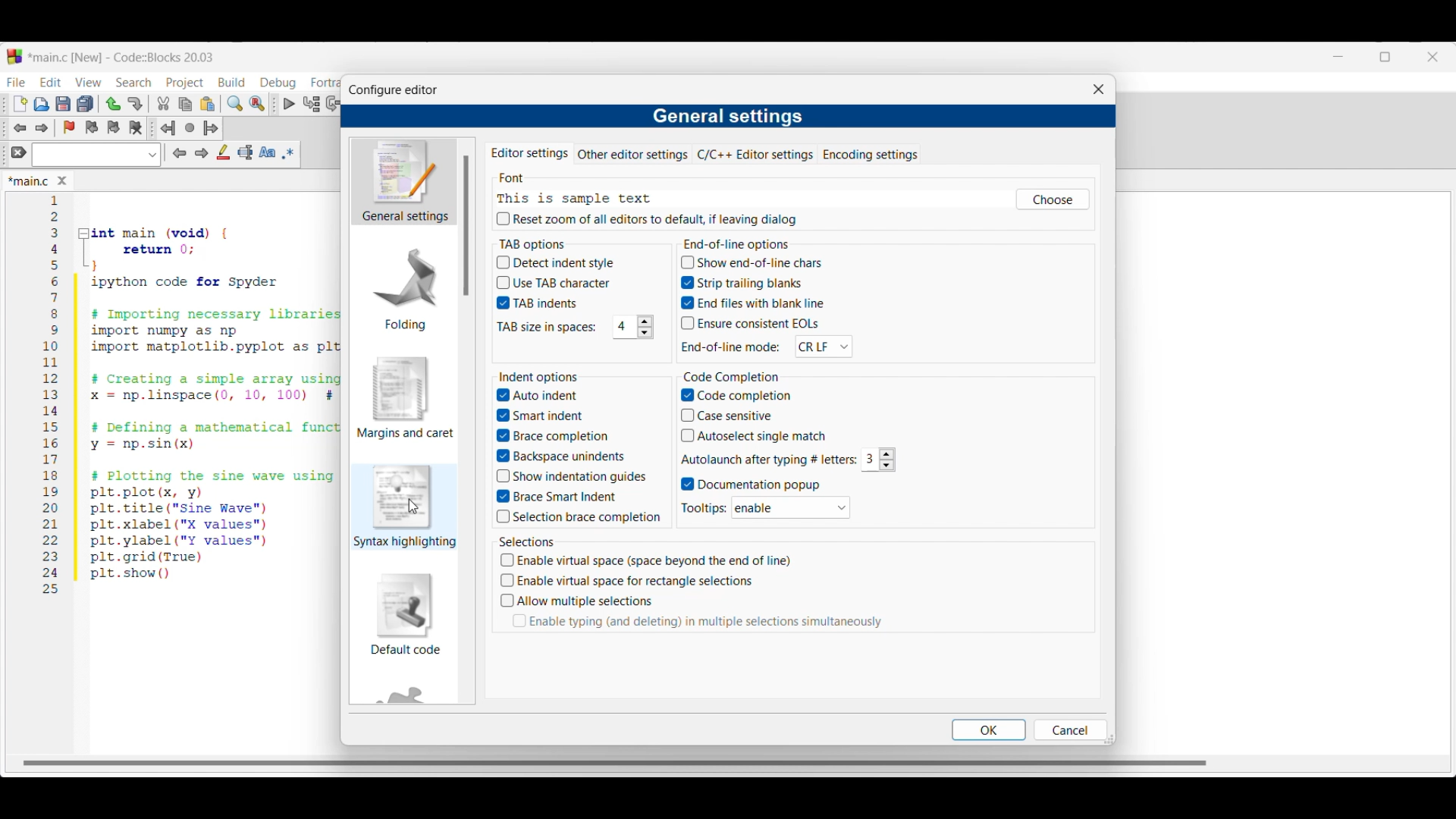 The width and height of the screenshot is (1456, 819). Describe the element at coordinates (738, 376) in the screenshot. I see `Code Completion` at that location.